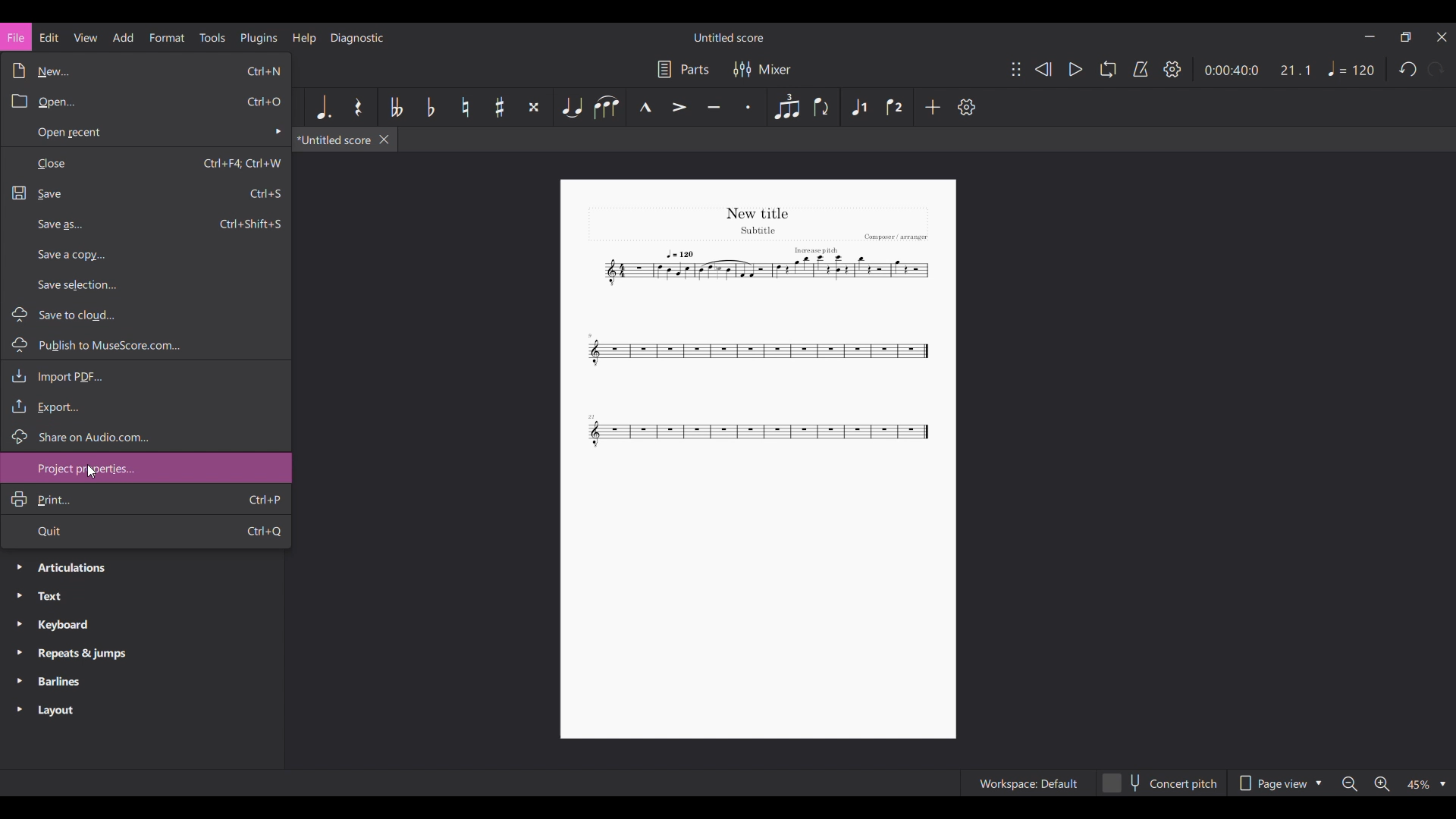 This screenshot has width=1456, height=819. I want to click on Barlines, so click(143, 682).